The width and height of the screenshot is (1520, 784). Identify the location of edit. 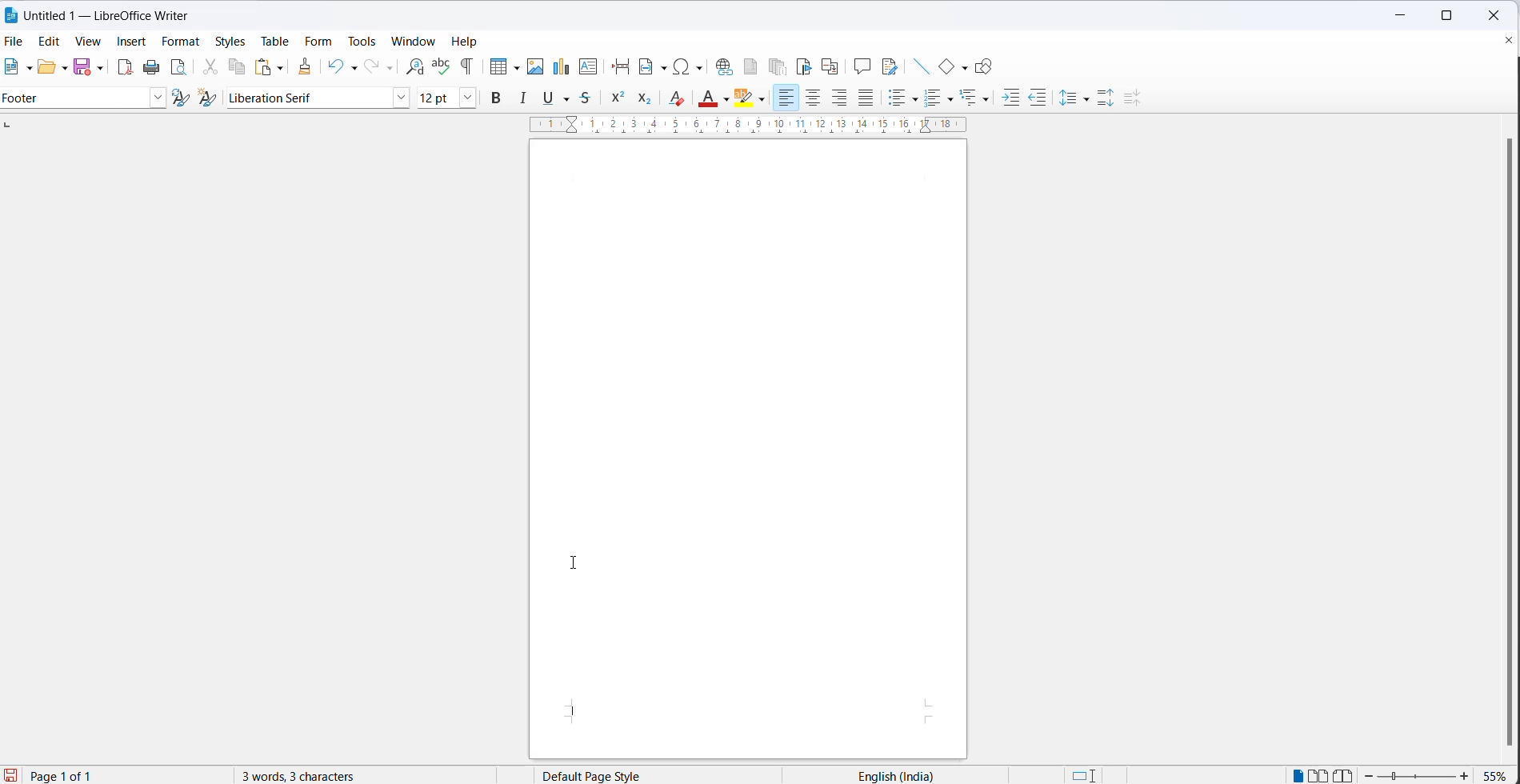
(53, 42).